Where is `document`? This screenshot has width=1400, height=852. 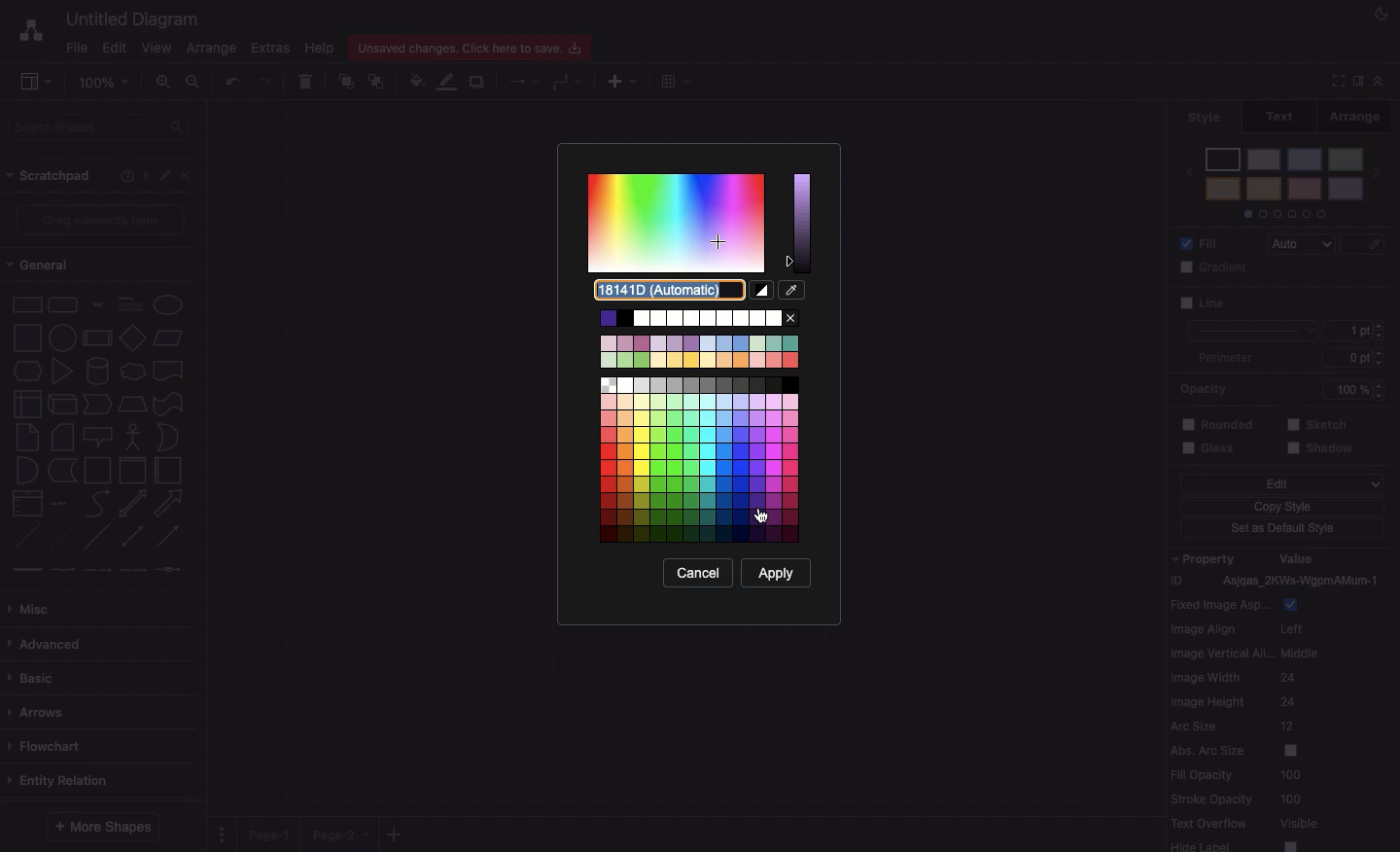 document is located at coordinates (168, 371).